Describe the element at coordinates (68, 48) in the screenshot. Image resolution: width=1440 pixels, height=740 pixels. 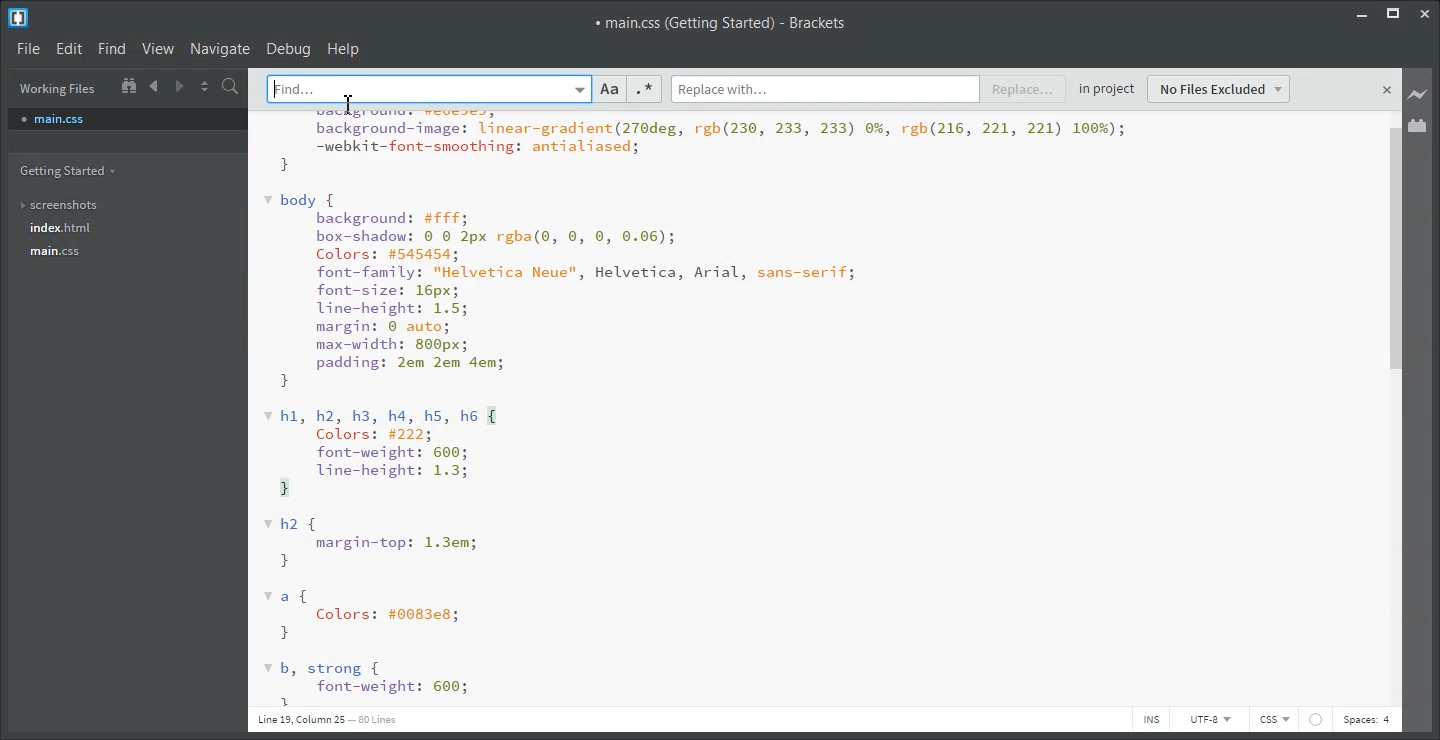
I see `Edit` at that location.